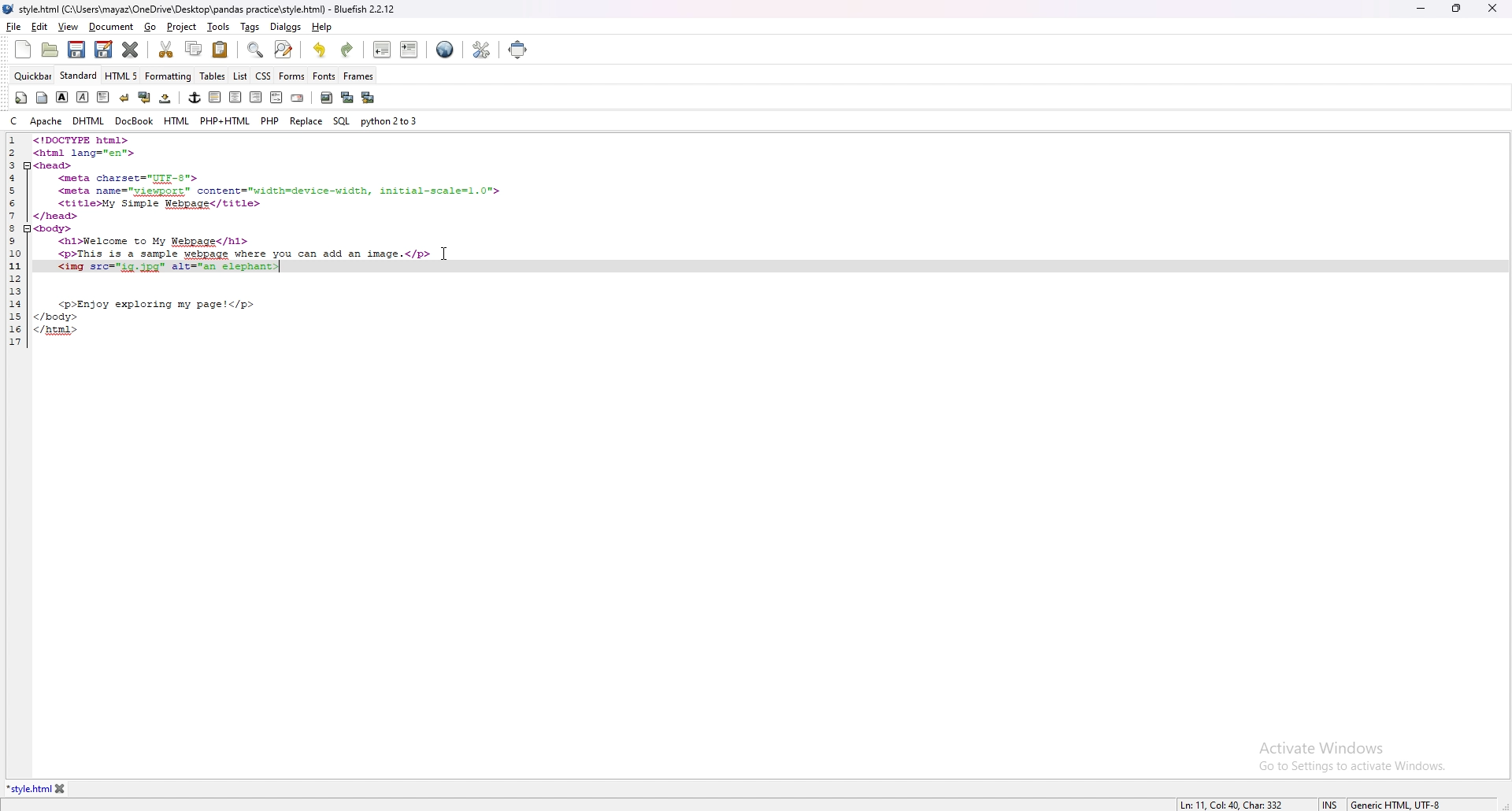  I want to click on docbook, so click(136, 121).